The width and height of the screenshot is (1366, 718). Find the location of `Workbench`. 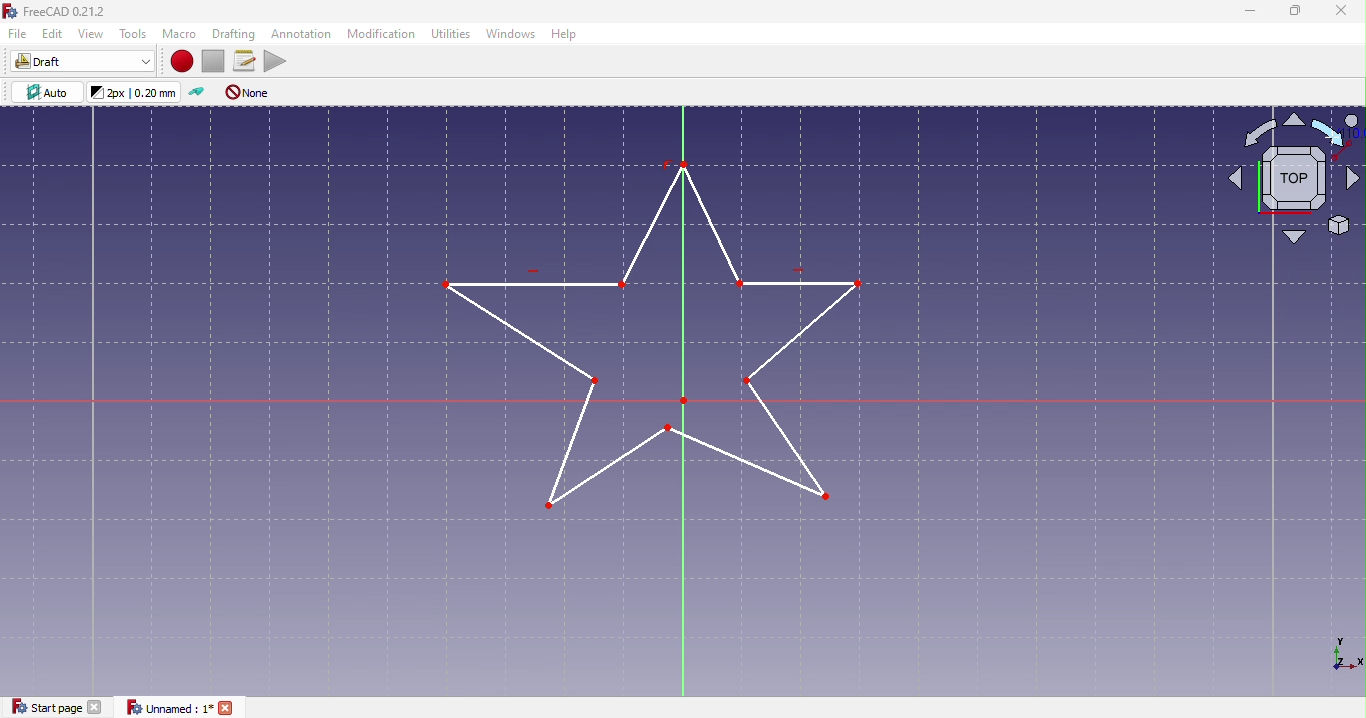

Workbench is located at coordinates (83, 62).